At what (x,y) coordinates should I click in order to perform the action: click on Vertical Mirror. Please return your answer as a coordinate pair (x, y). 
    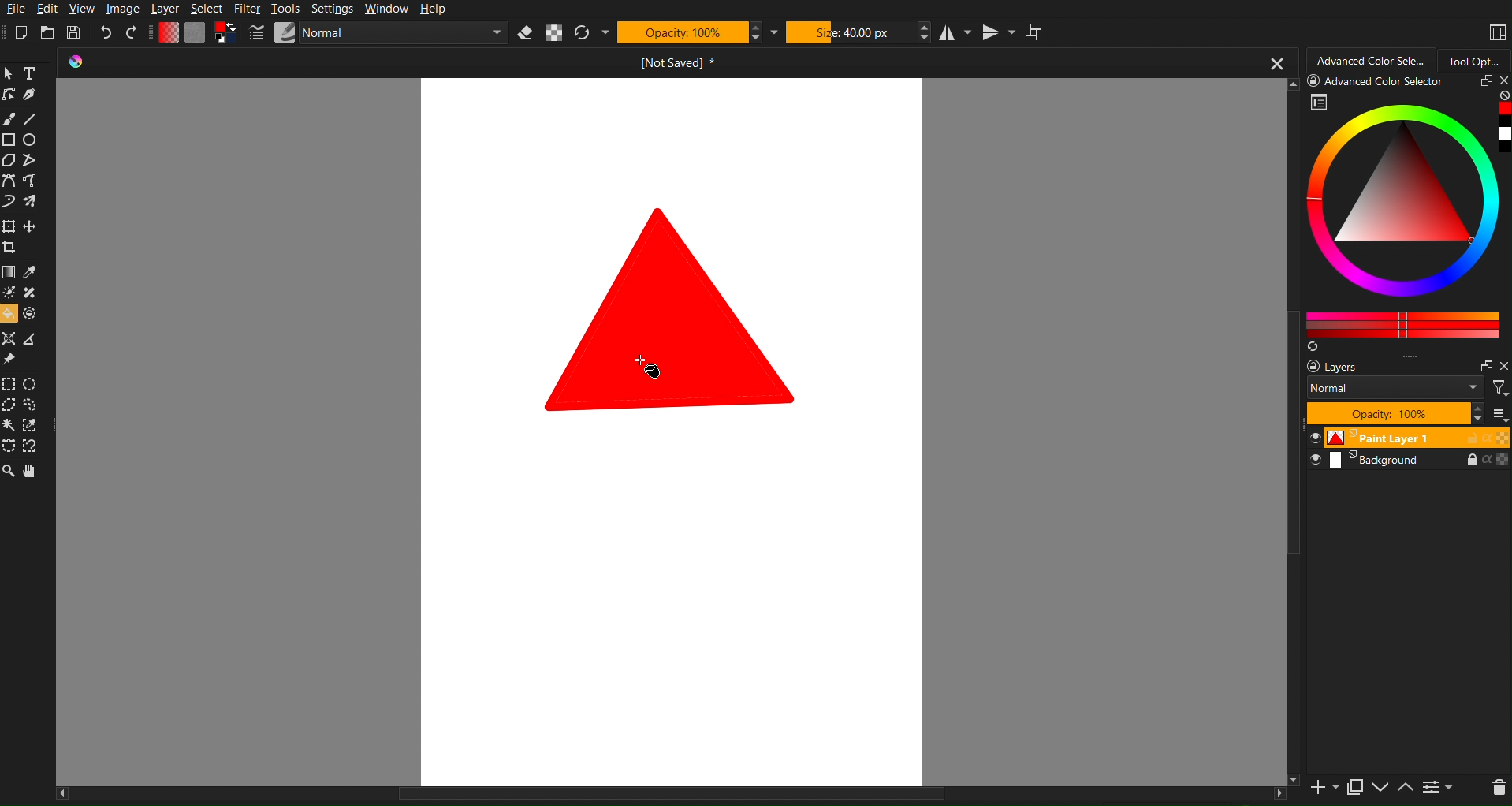
    Looking at the image, I should click on (1000, 32).